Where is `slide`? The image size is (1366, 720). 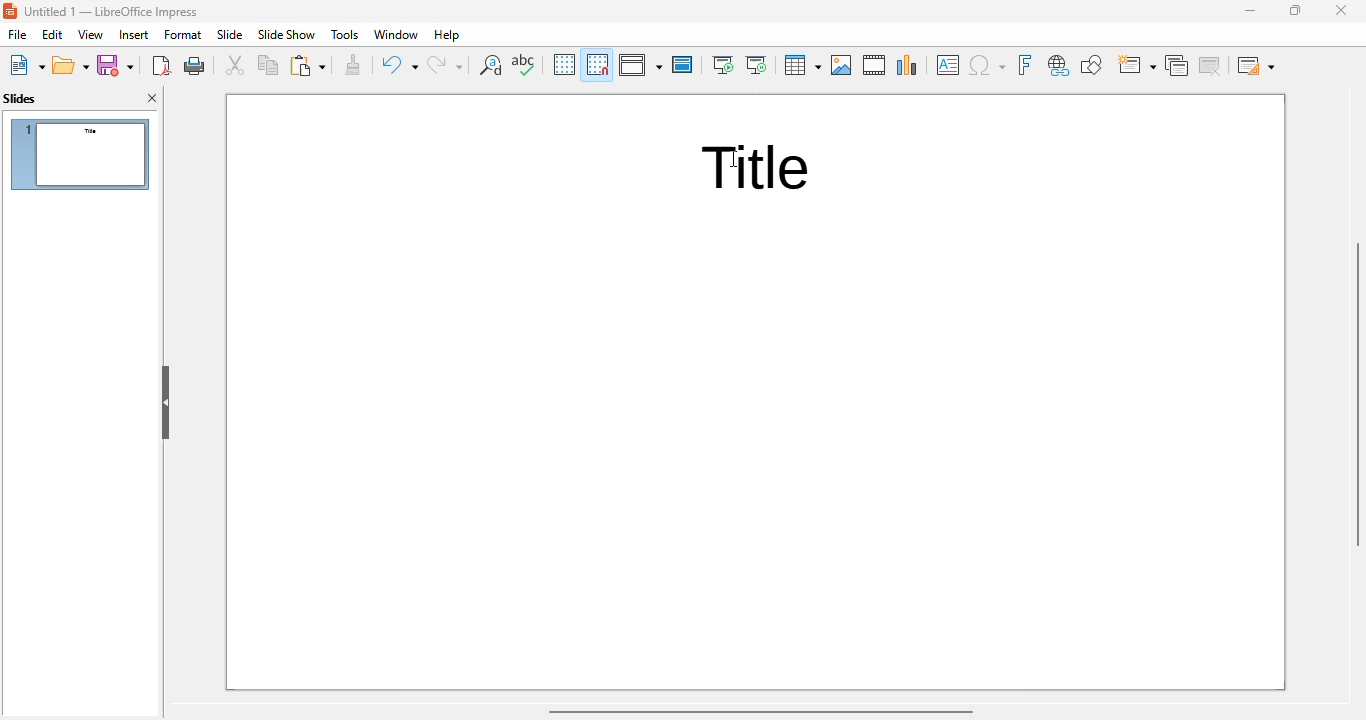
slide is located at coordinates (231, 34).